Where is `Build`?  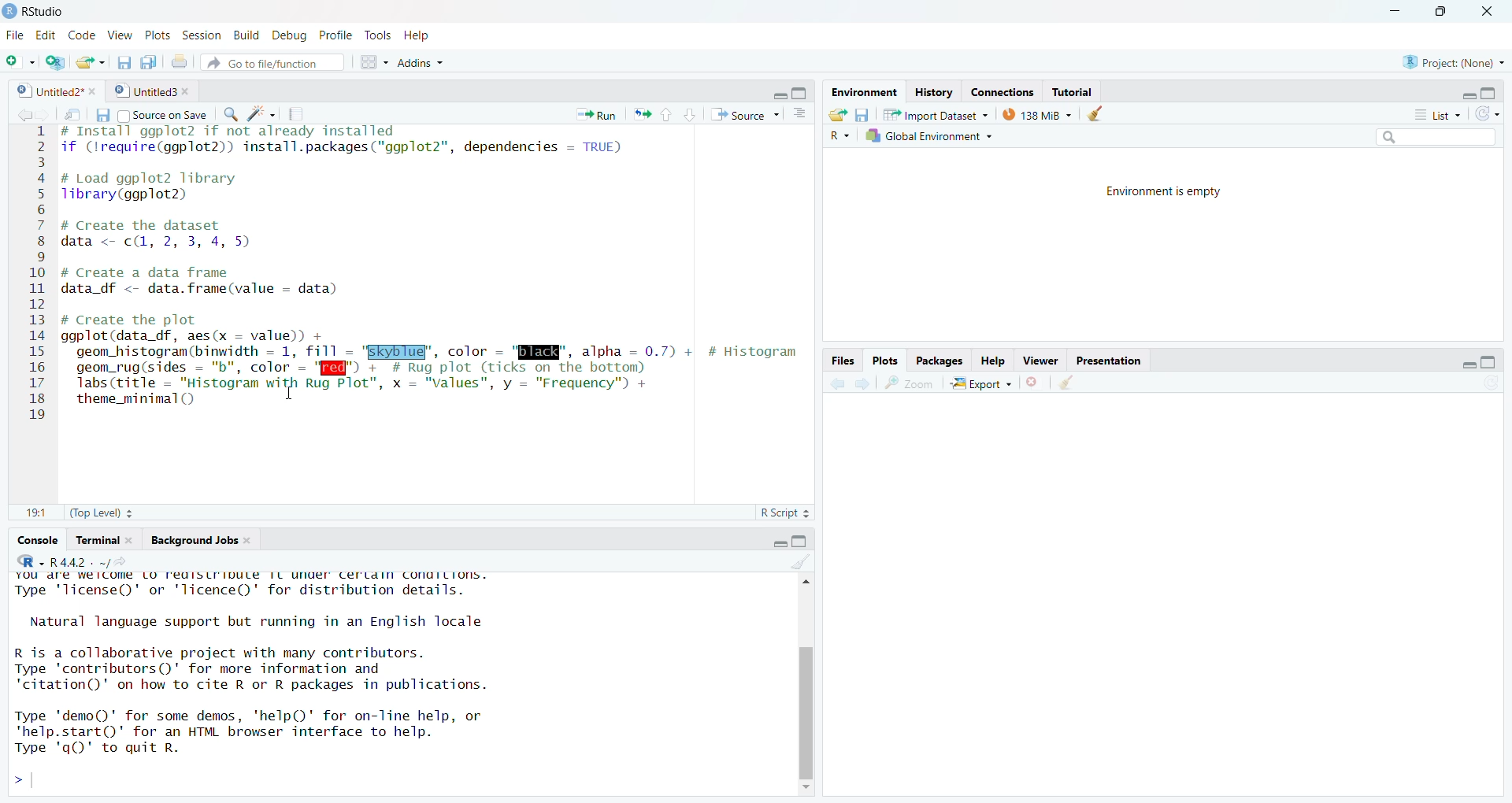 Build is located at coordinates (243, 33).